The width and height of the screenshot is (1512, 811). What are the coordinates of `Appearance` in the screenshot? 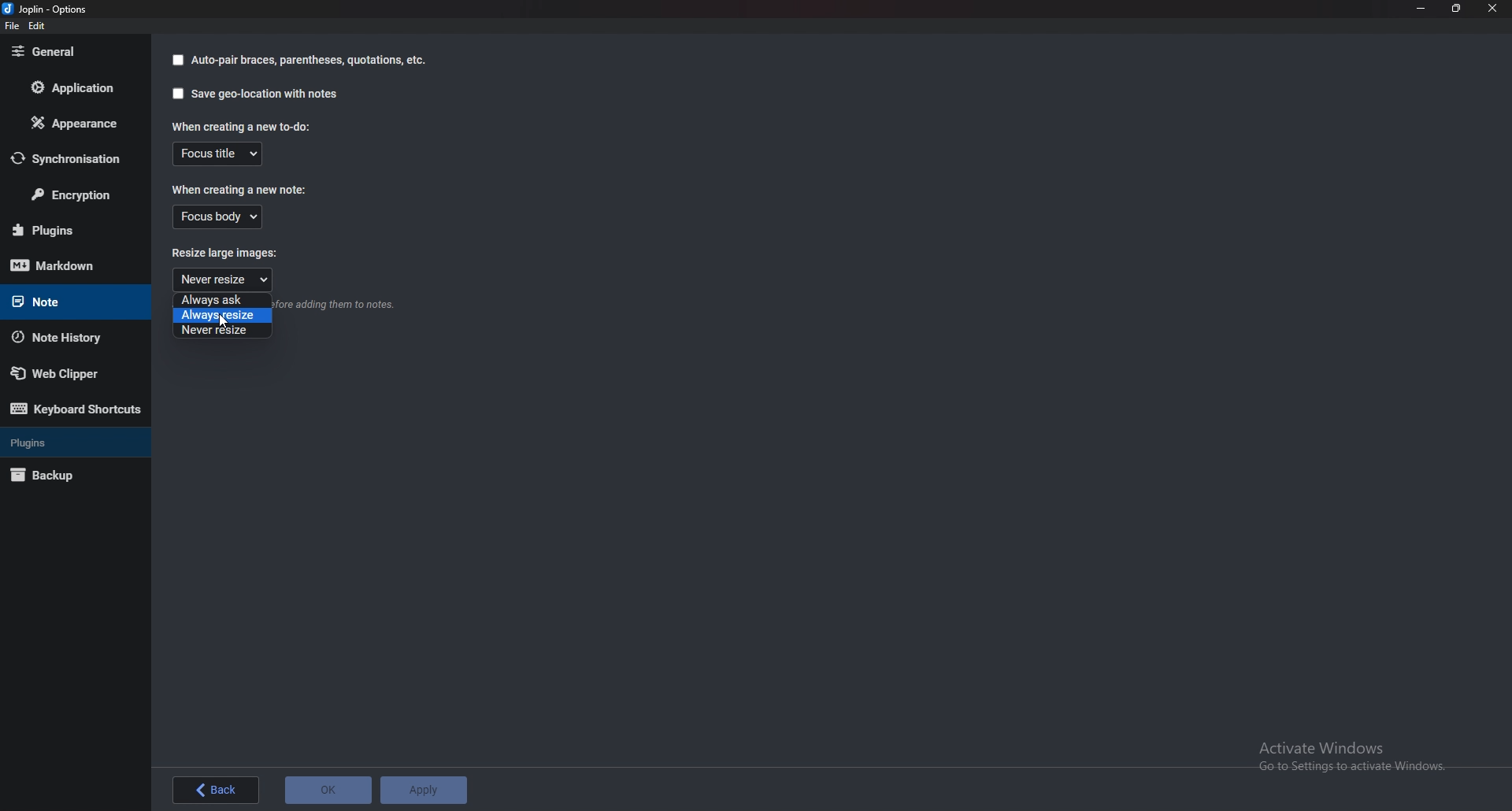 It's located at (70, 123).